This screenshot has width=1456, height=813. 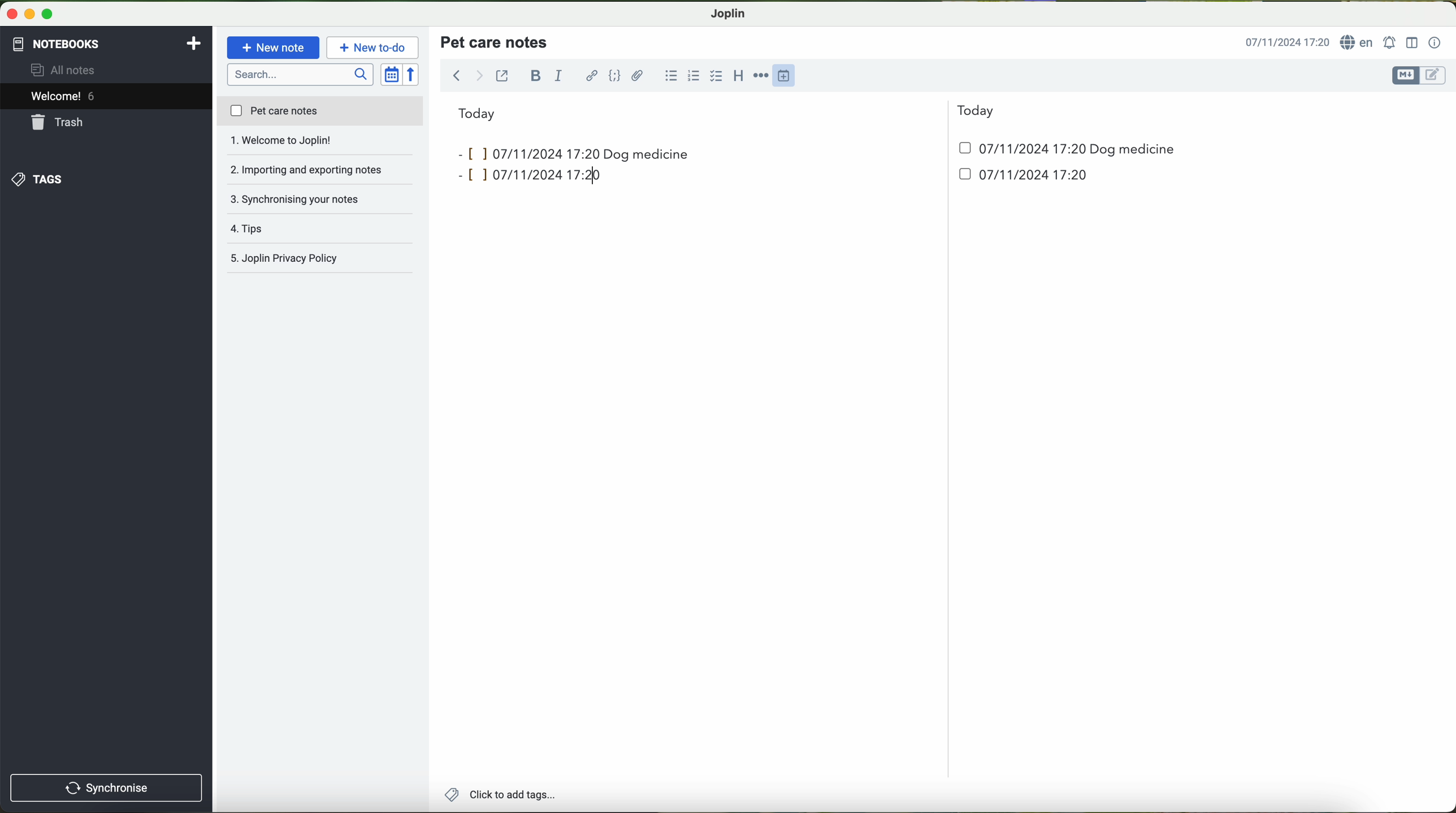 I want to click on insert time, so click(x=789, y=75).